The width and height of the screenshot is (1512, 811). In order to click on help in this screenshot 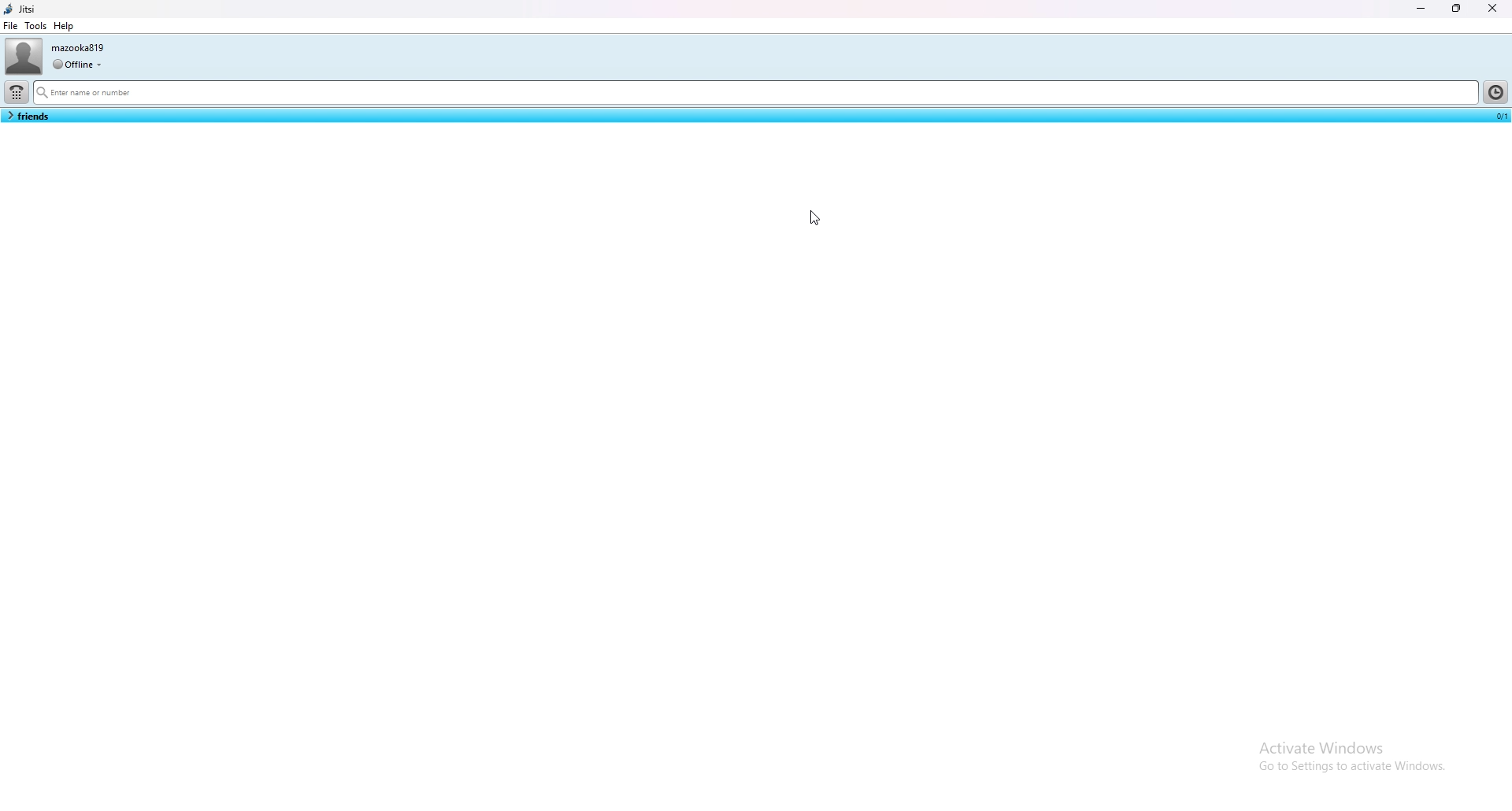, I will do `click(65, 26)`.